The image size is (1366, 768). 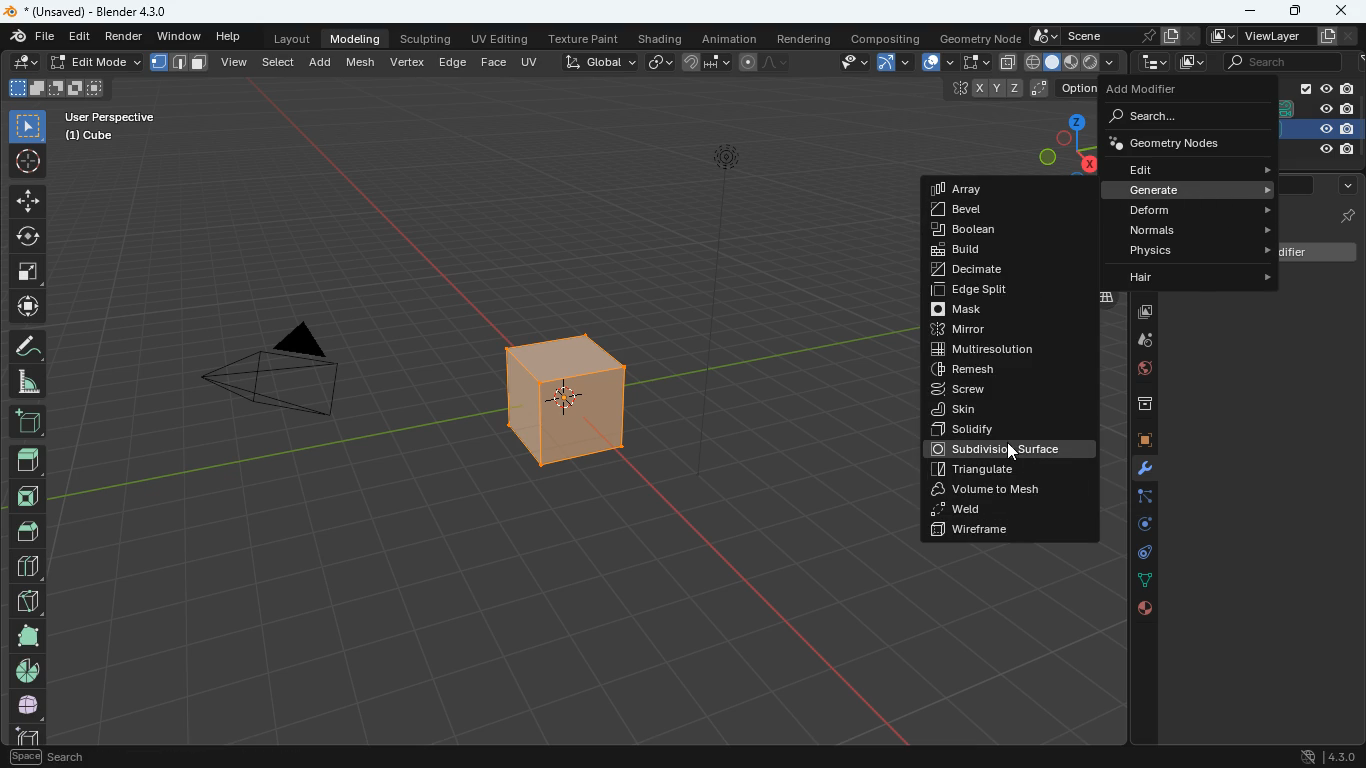 What do you see at coordinates (930, 61) in the screenshot?
I see `overlap` at bounding box center [930, 61].